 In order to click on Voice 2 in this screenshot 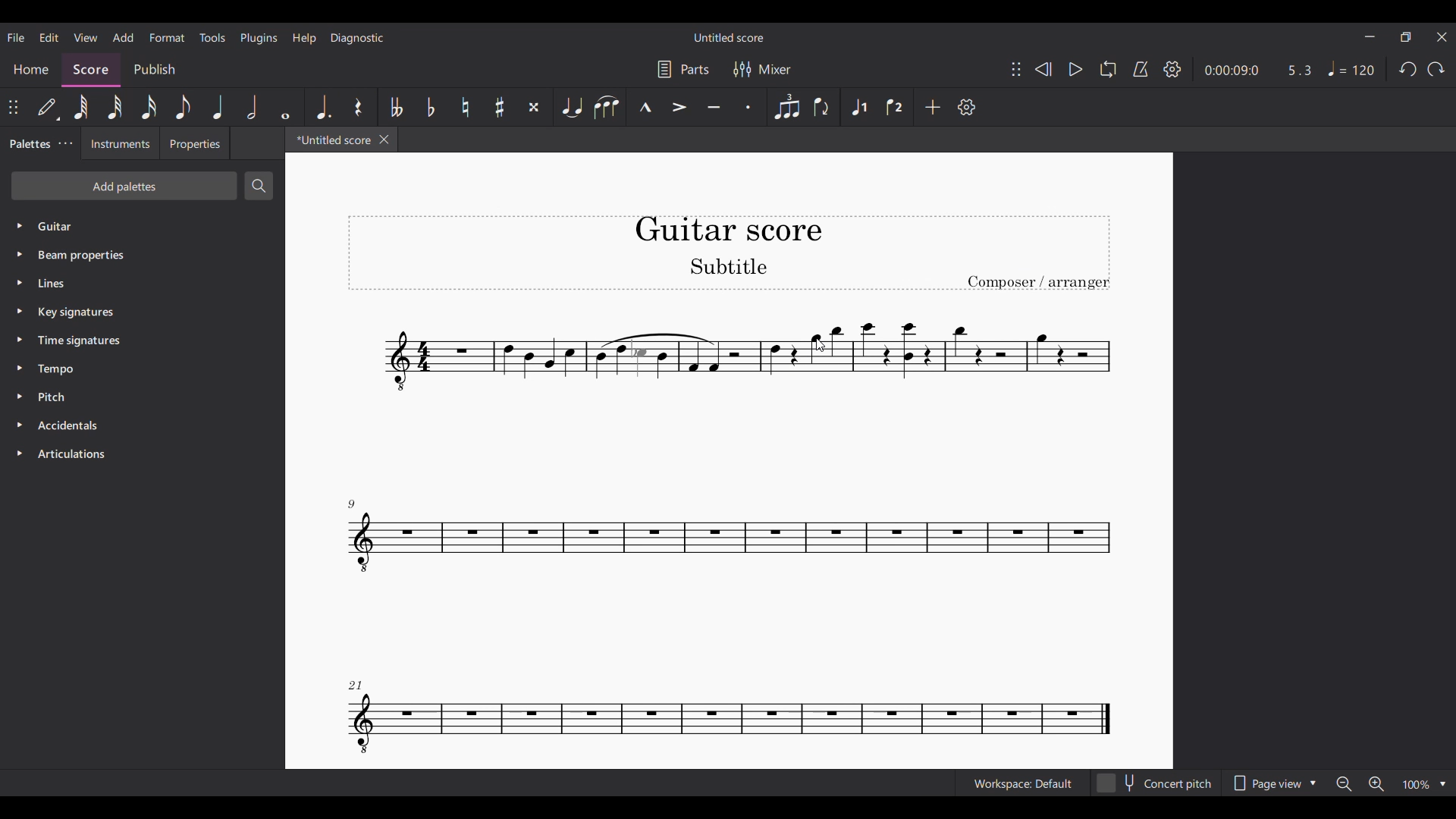, I will do `click(896, 107)`.